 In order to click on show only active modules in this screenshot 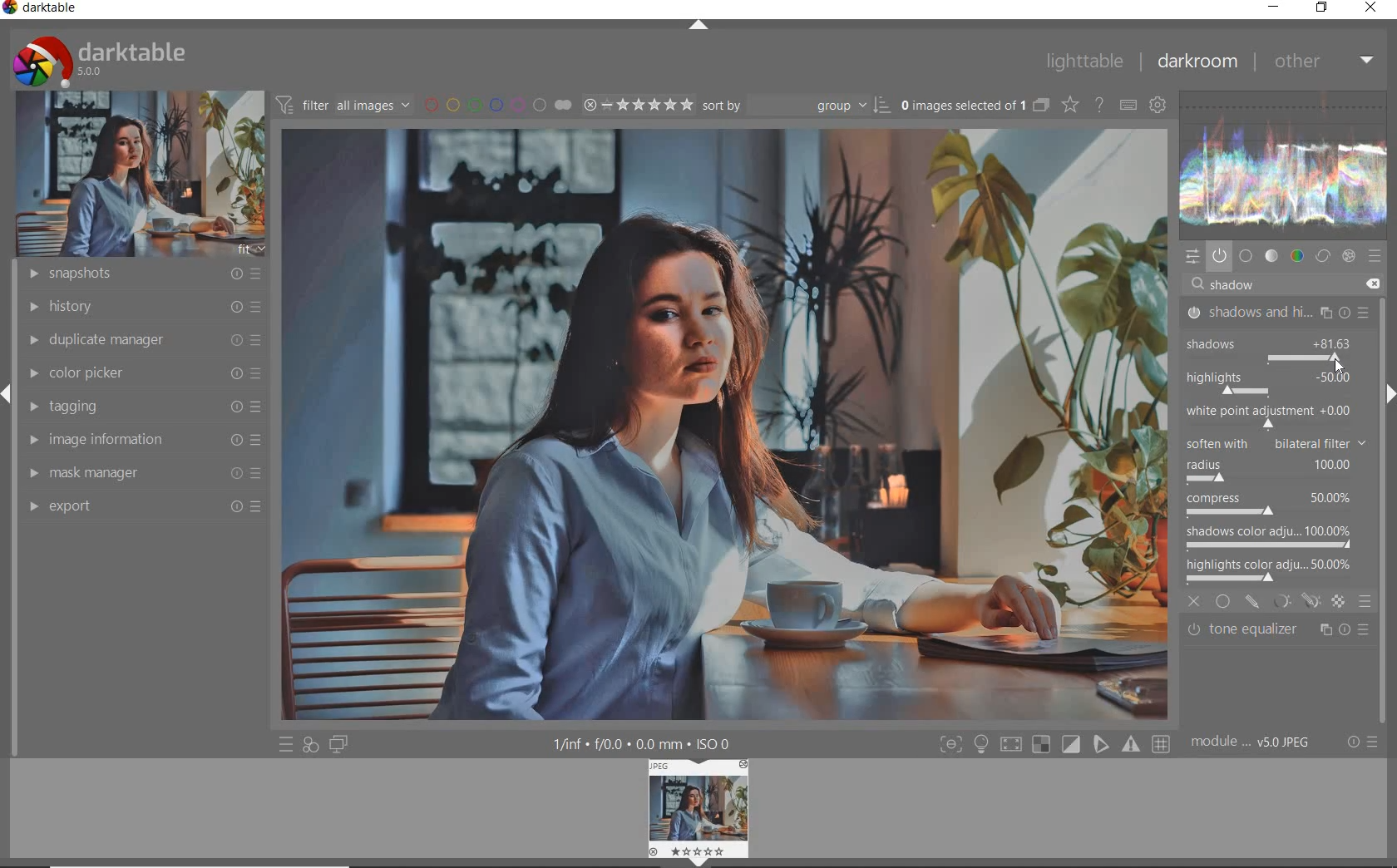, I will do `click(1220, 255)`.